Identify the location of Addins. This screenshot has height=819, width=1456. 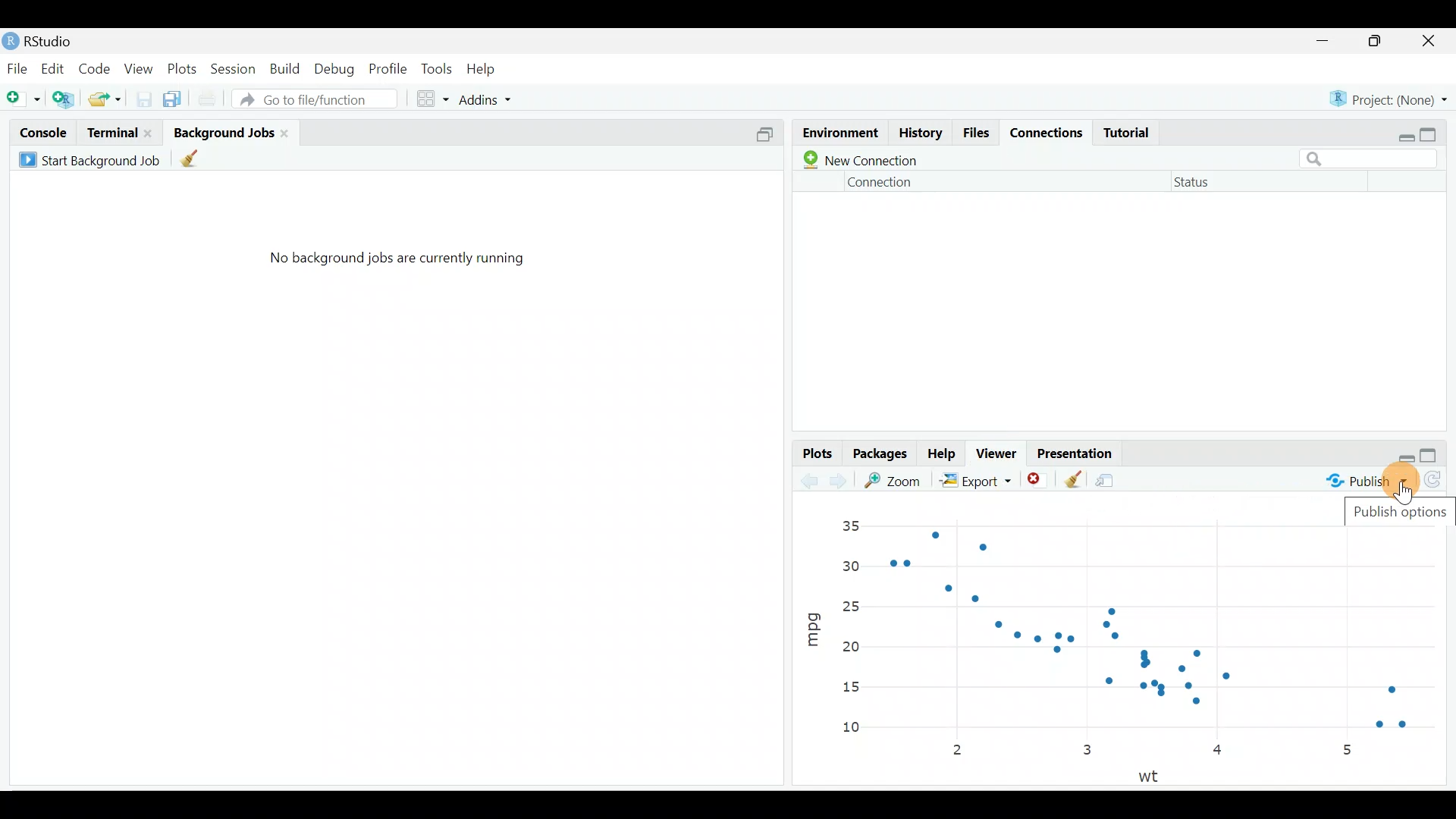
(488, 97).